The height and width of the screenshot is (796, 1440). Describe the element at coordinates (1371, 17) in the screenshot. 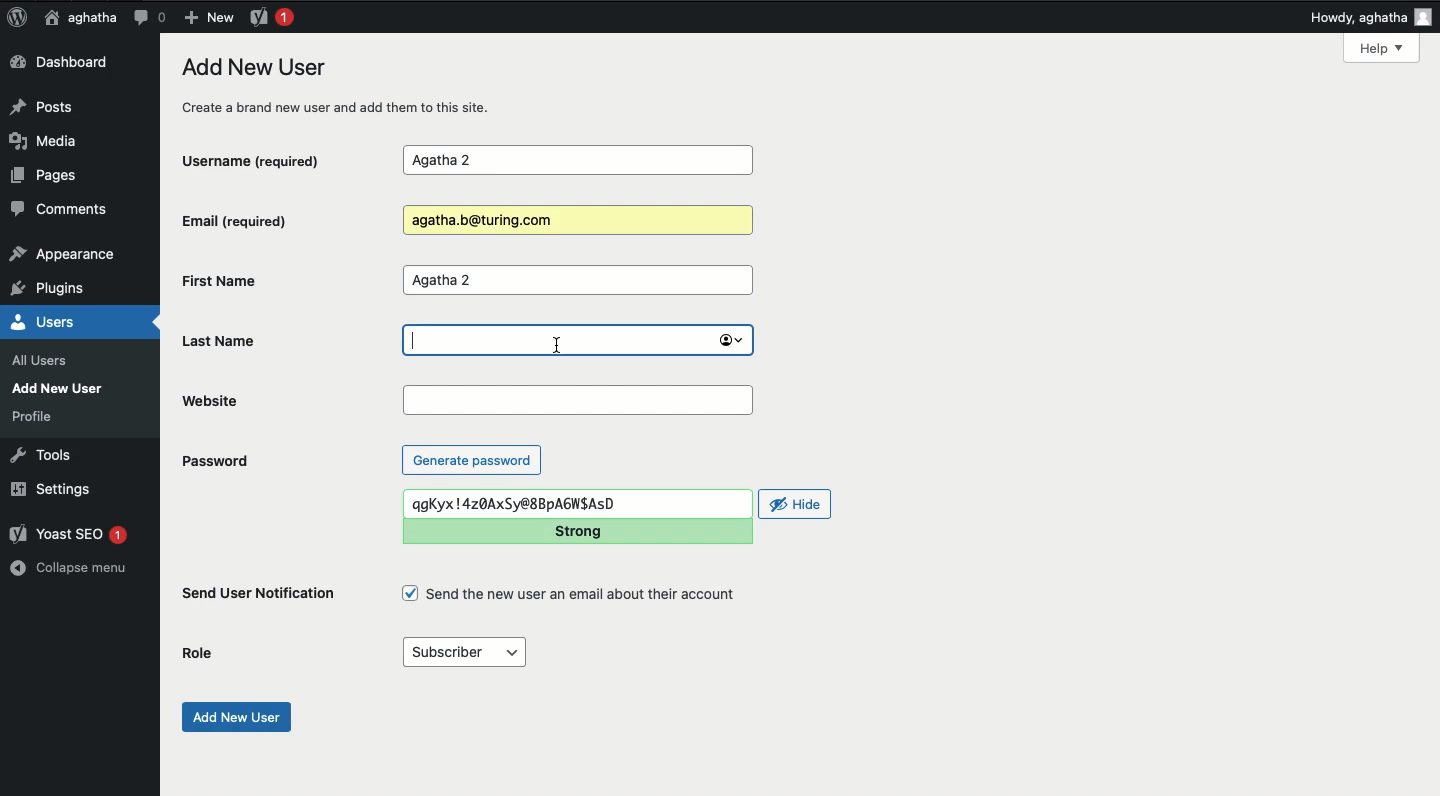

I see `Howdy, aghatha` at that location.